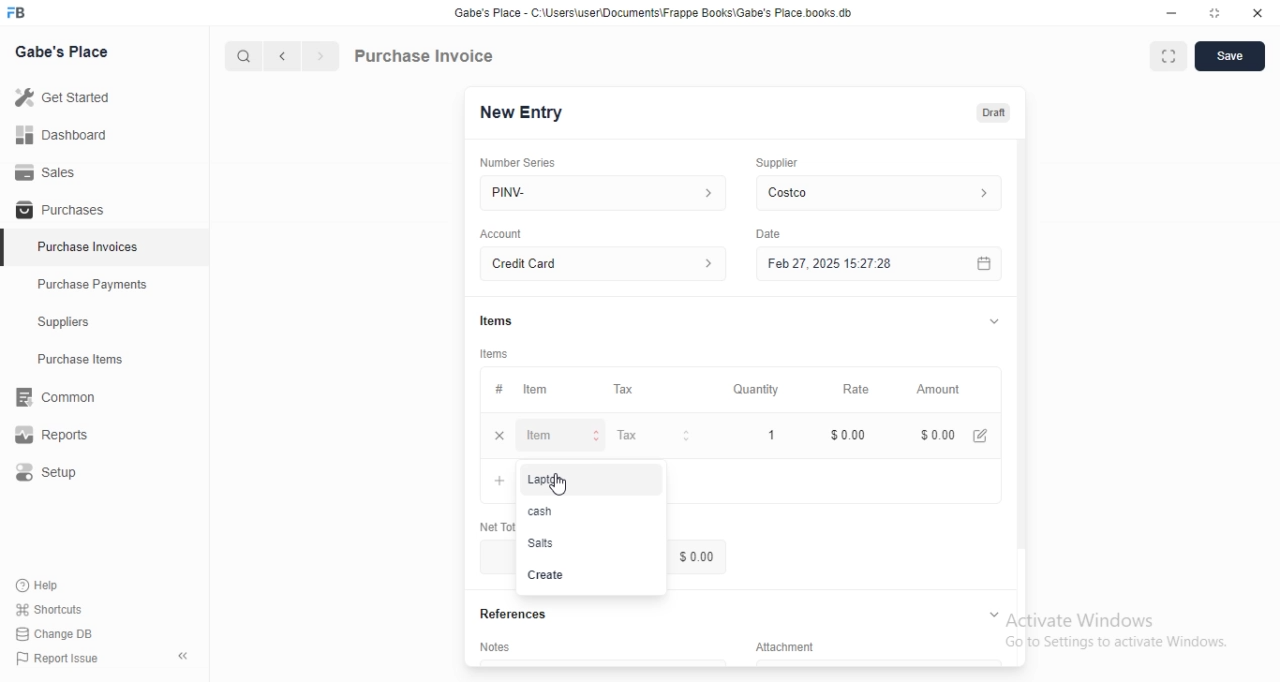 This screenshot has height=682, width=1280. Describe the element at coordinates (61, 51) in the screenshot. I see `Gabe's Place` at that location.